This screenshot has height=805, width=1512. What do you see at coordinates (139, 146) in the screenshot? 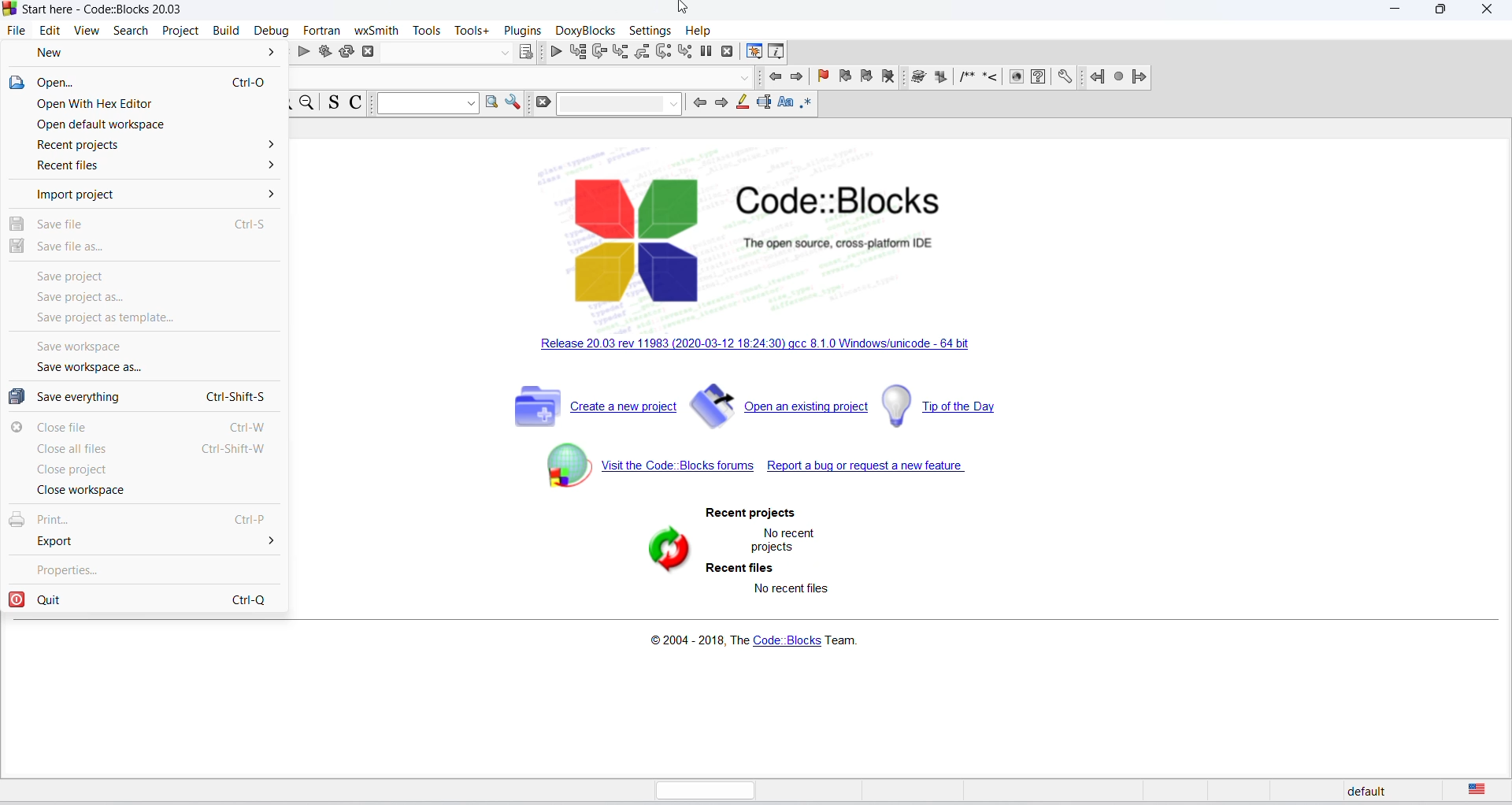
I see `recent project` at bounding box center [139, 146].